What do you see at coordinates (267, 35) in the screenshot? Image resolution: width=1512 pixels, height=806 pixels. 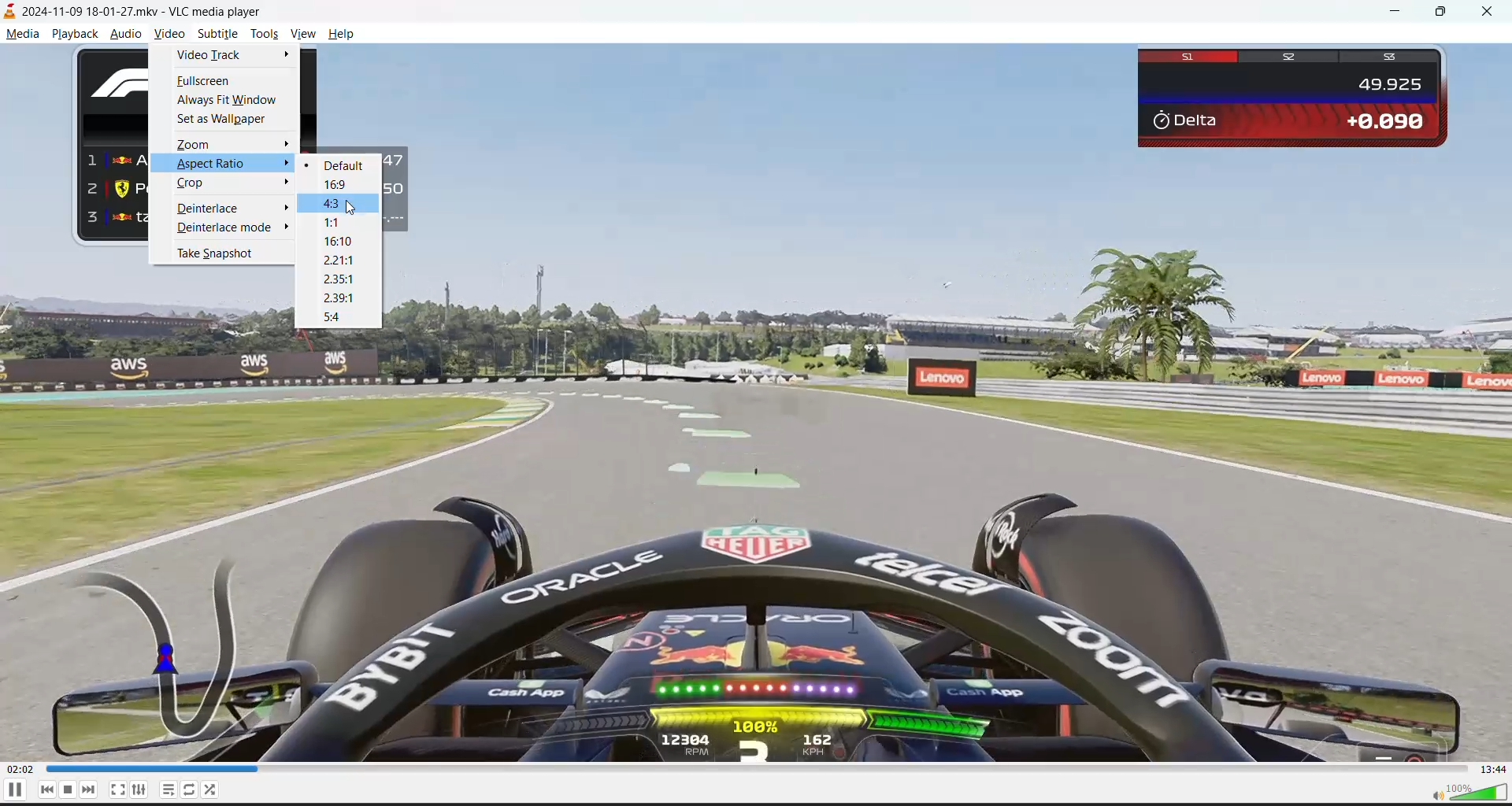 I see `tools` at bounding box center [267, 35].